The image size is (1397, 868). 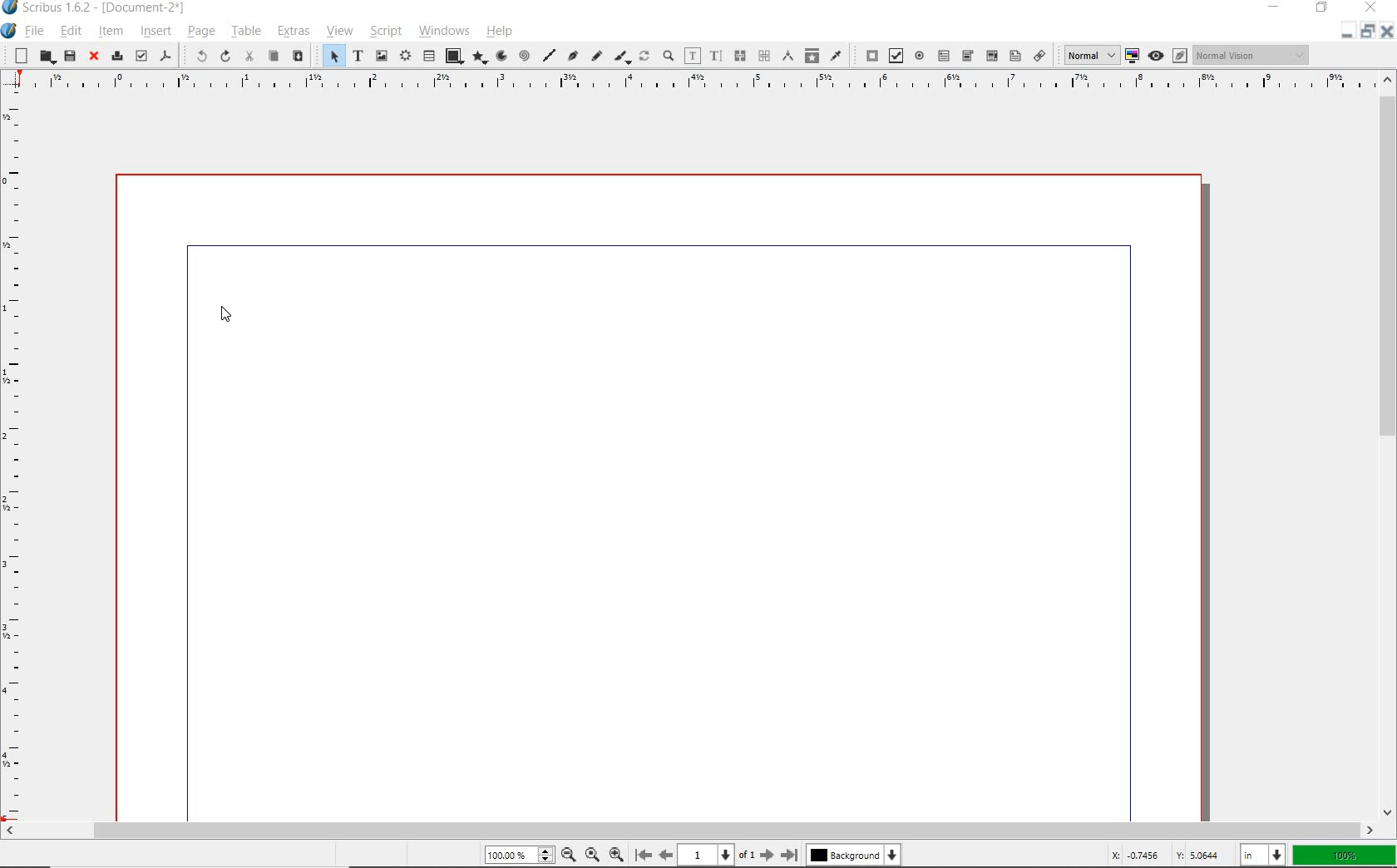 I want to click on toggle color, so click(x=1130, y=57).